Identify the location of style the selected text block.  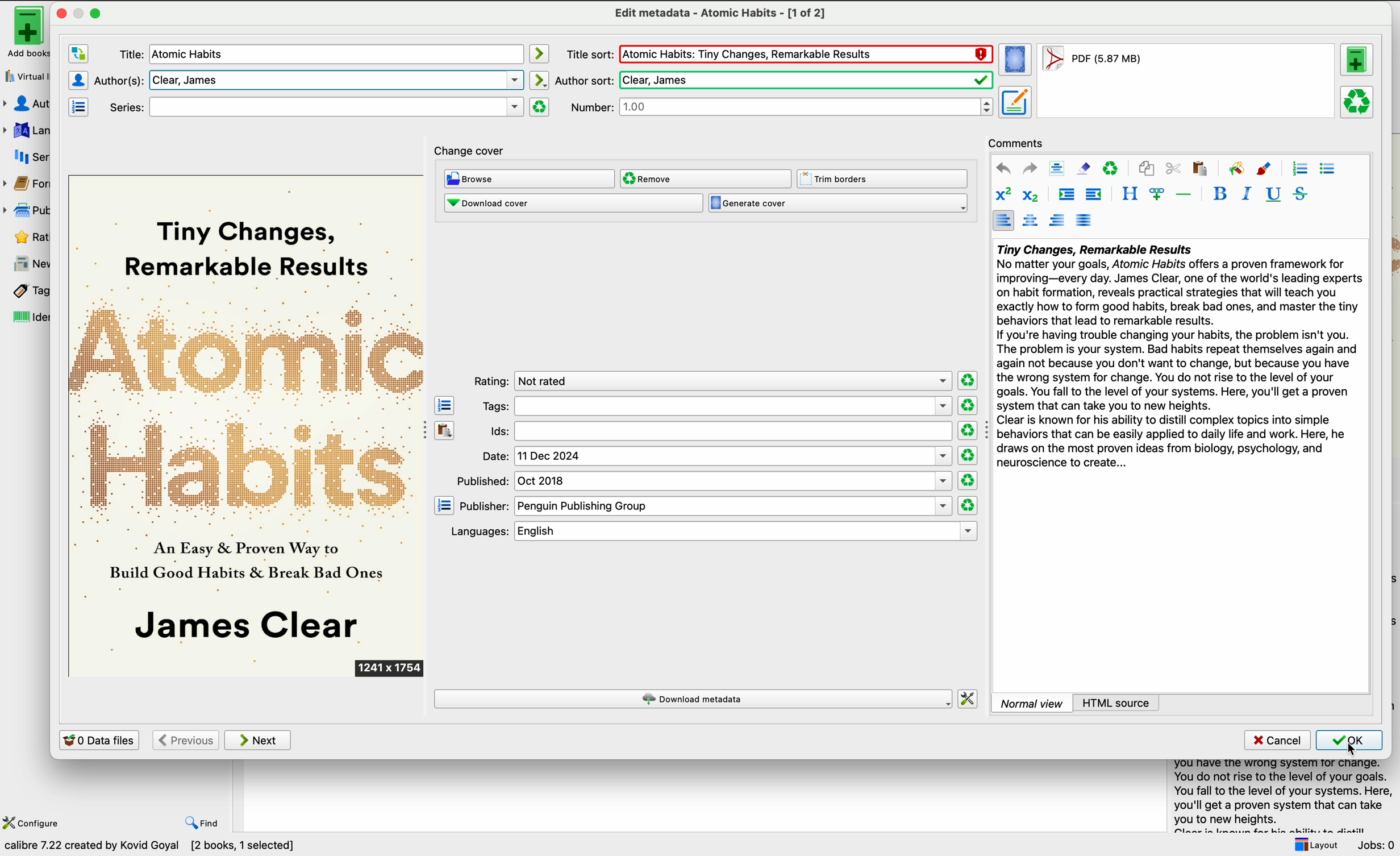
(1129, 194).